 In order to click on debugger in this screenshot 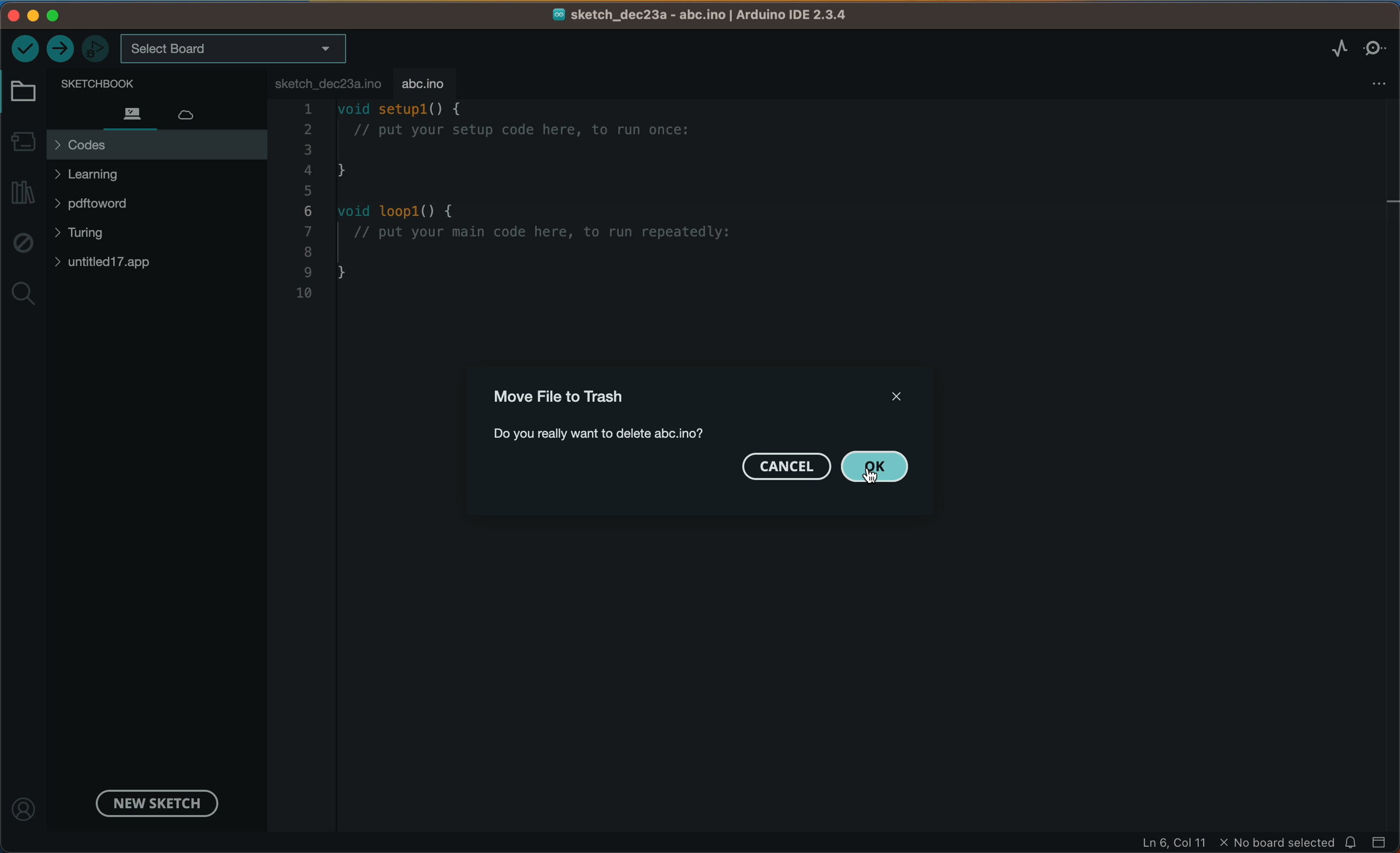, I will do `click(94, 49)`.